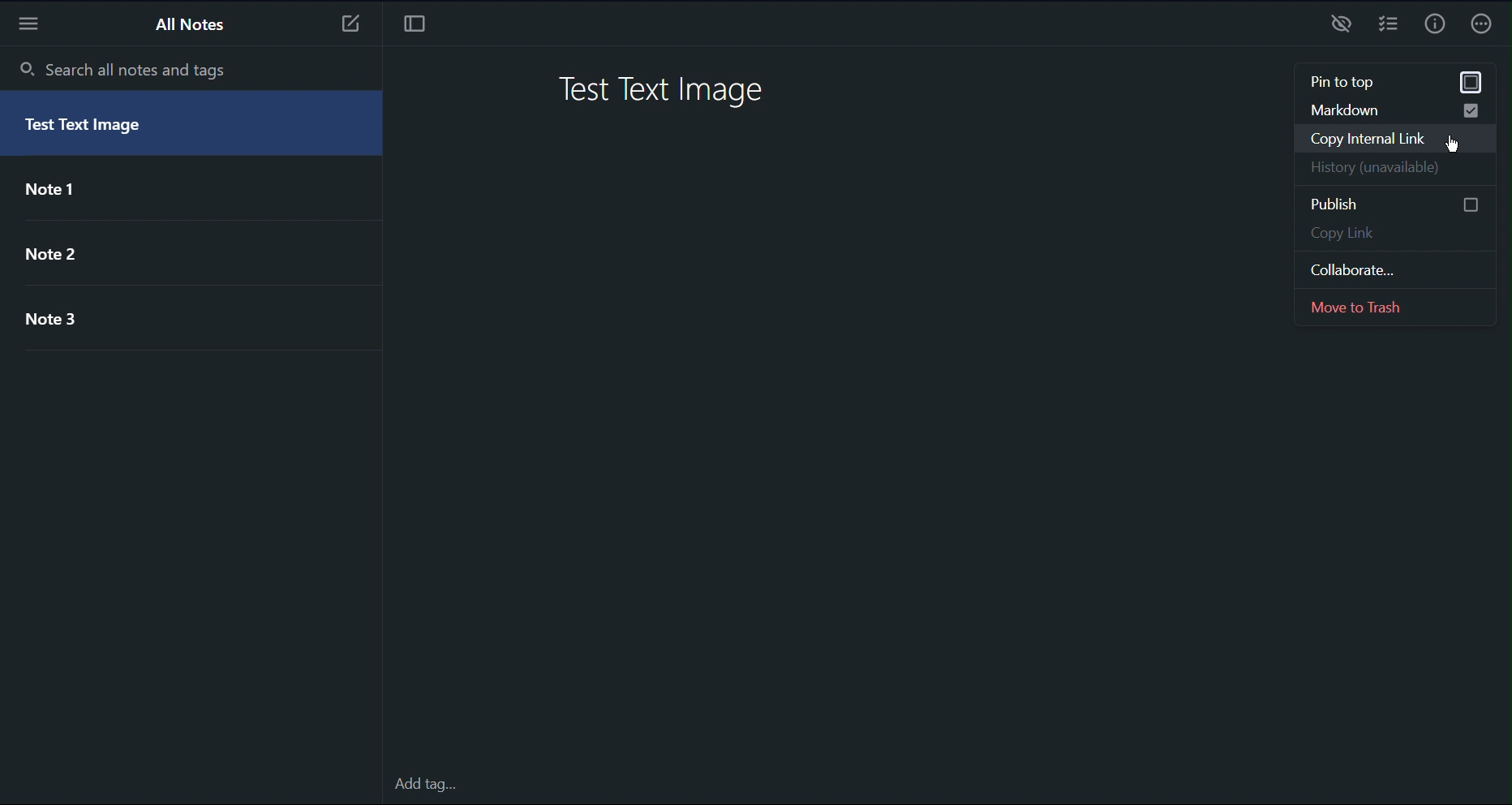 Image resolution: width=1512 pixels, height=805 pixels. What do you see at coordinates (1390, 235) in the screenshot?
I see `Copy Link` at bounding box center [1390, 235].